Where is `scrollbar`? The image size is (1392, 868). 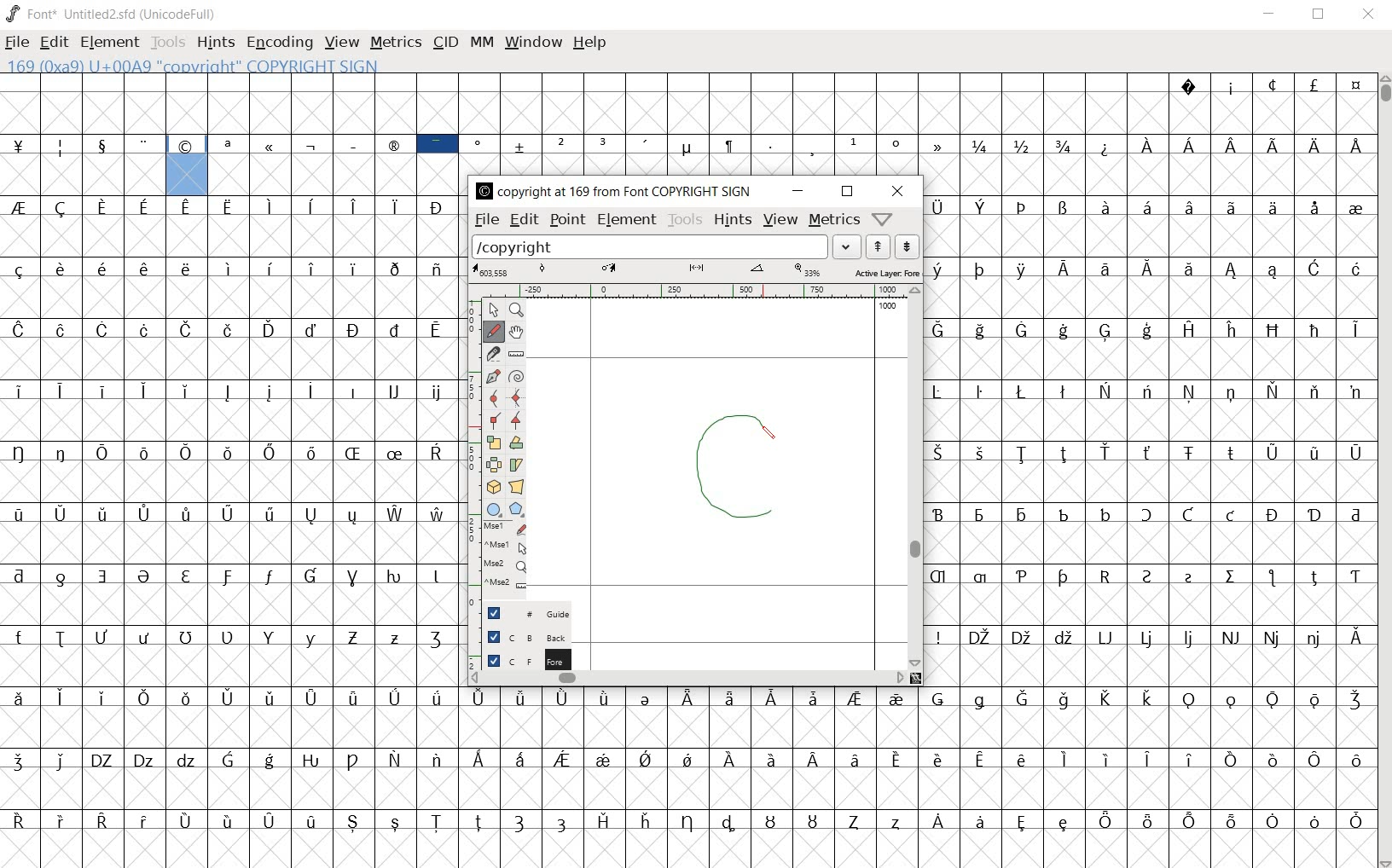 scrollbar is located at coordinates (687, 677).